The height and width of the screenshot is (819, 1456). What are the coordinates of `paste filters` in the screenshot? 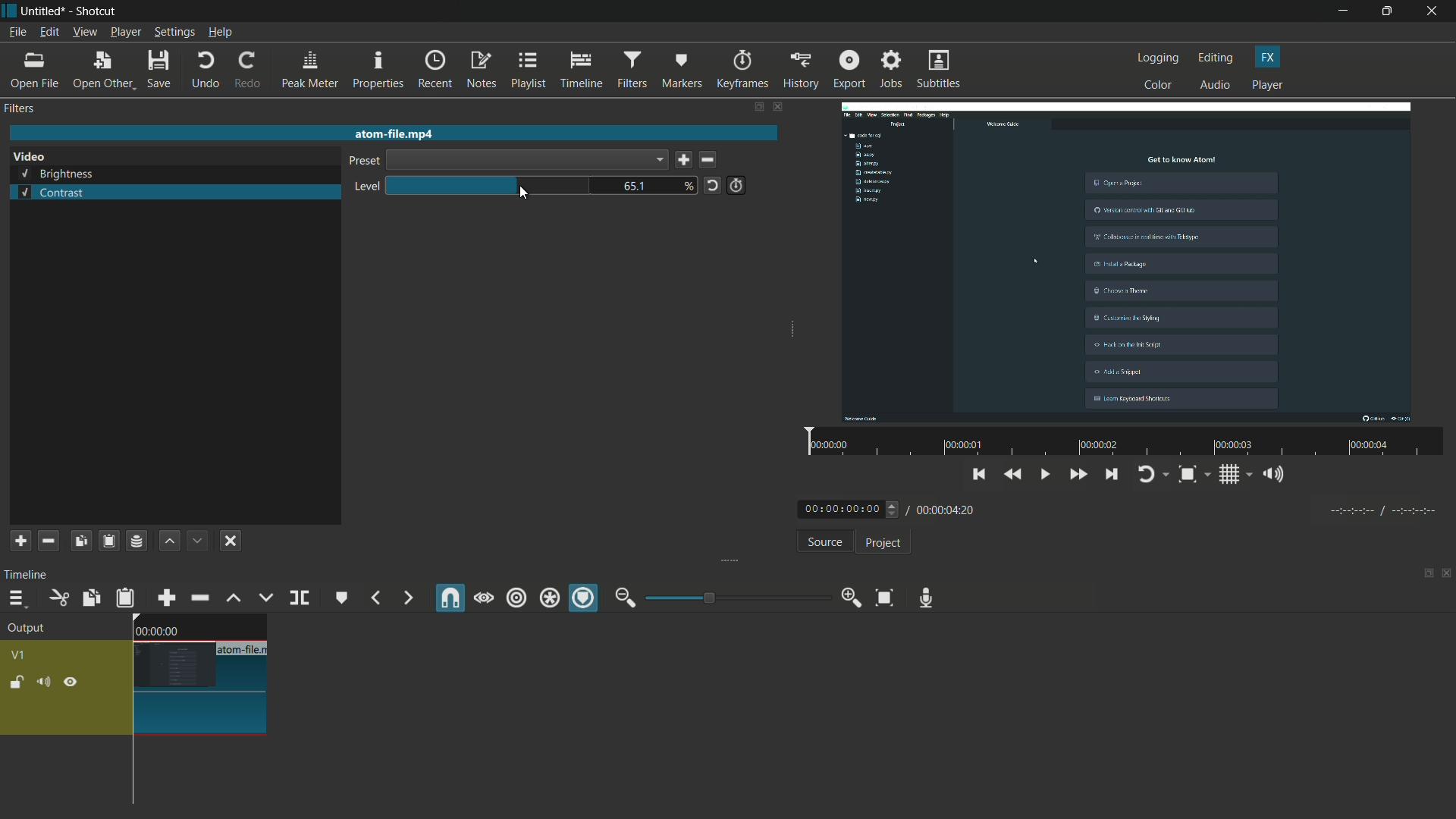 It's located at (108, 541).